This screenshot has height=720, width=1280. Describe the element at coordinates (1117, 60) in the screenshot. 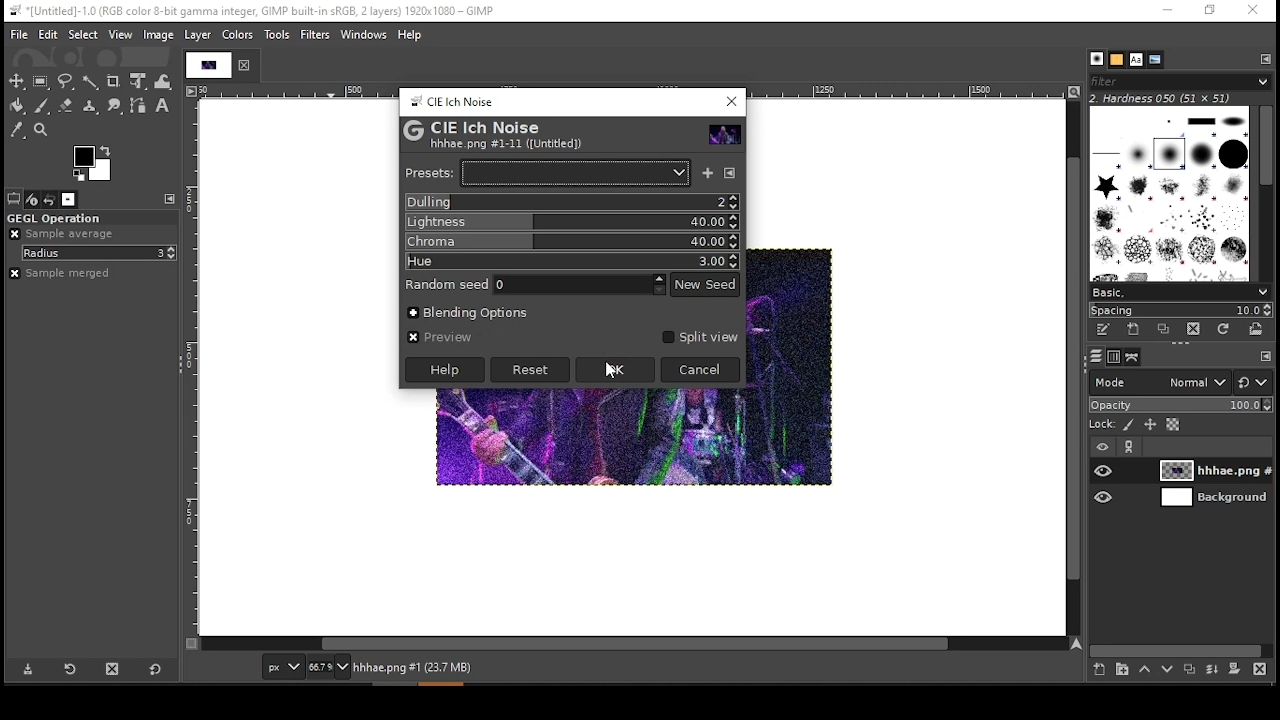

I see `patterns` at that location.